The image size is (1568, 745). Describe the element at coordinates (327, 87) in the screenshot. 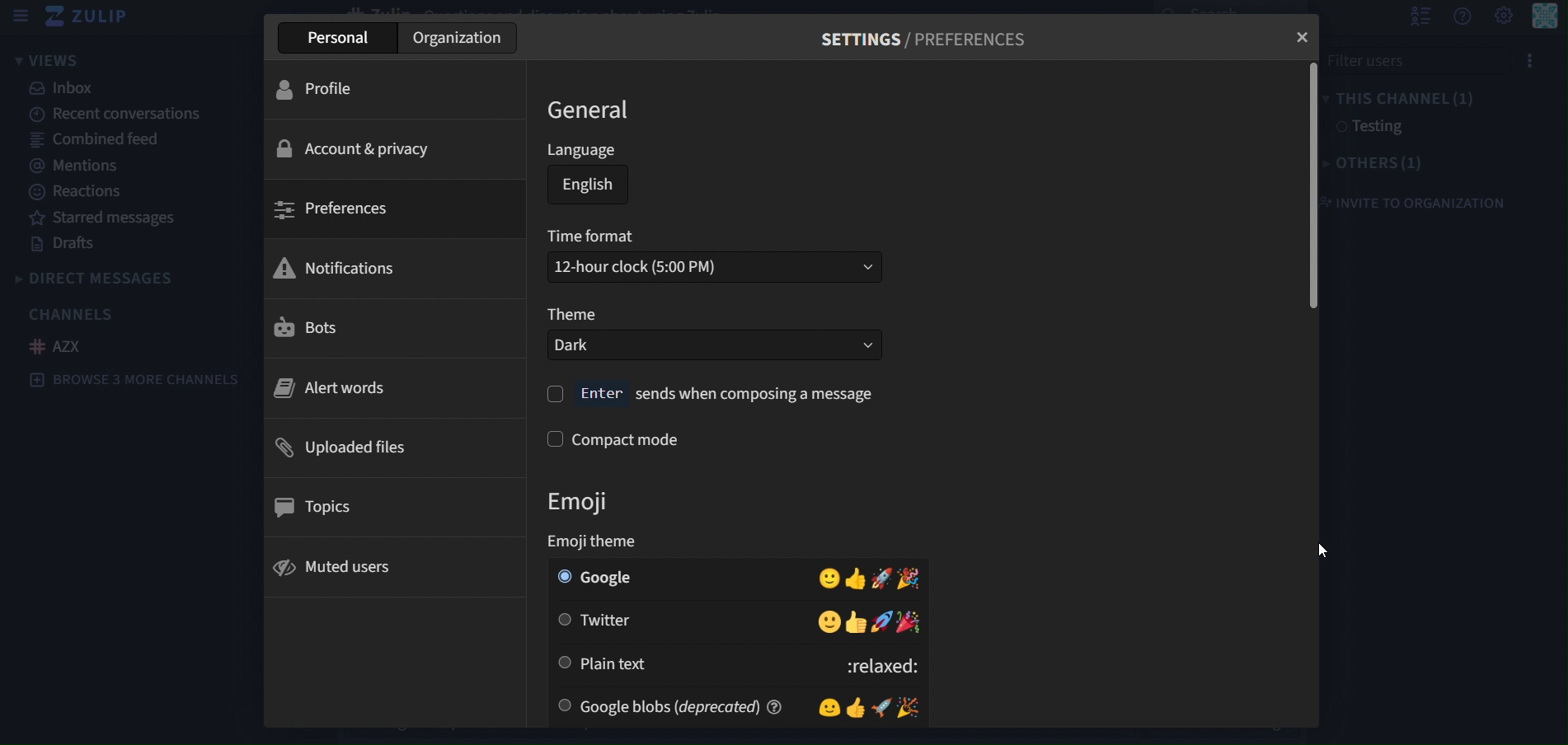

I see `profile` at that location.